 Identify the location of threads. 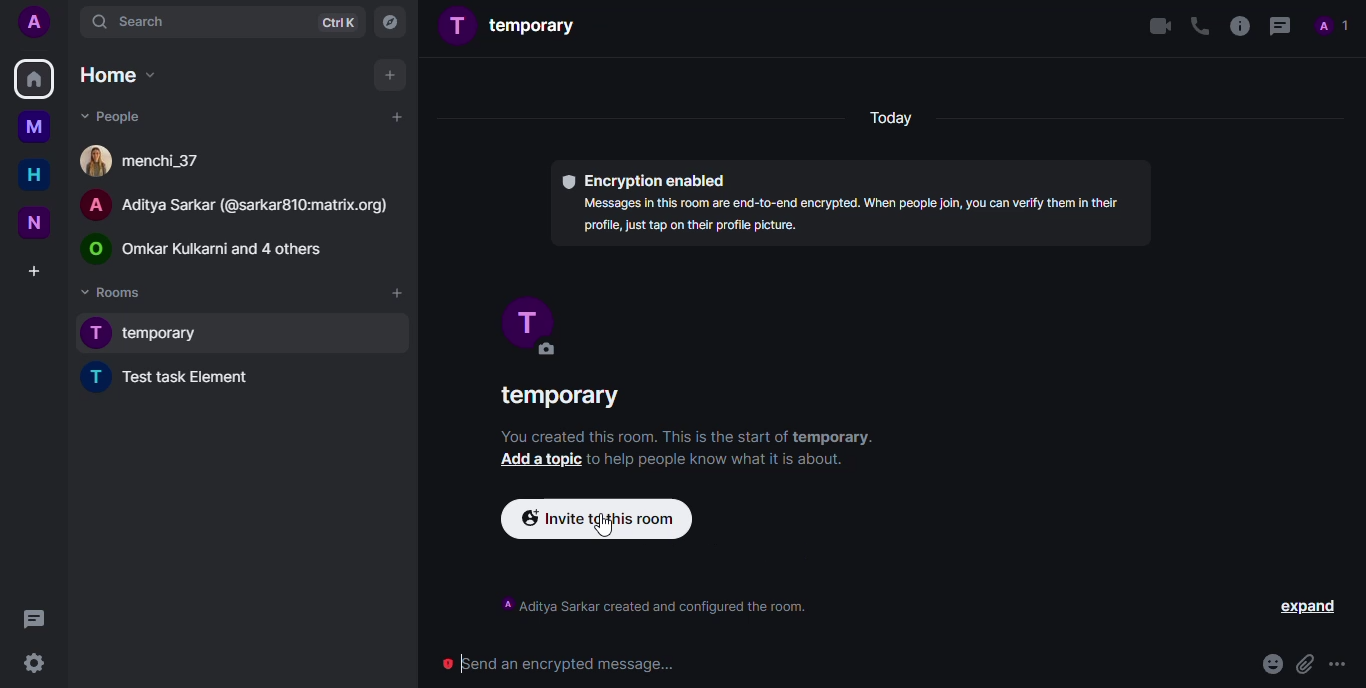
(1278, 26).